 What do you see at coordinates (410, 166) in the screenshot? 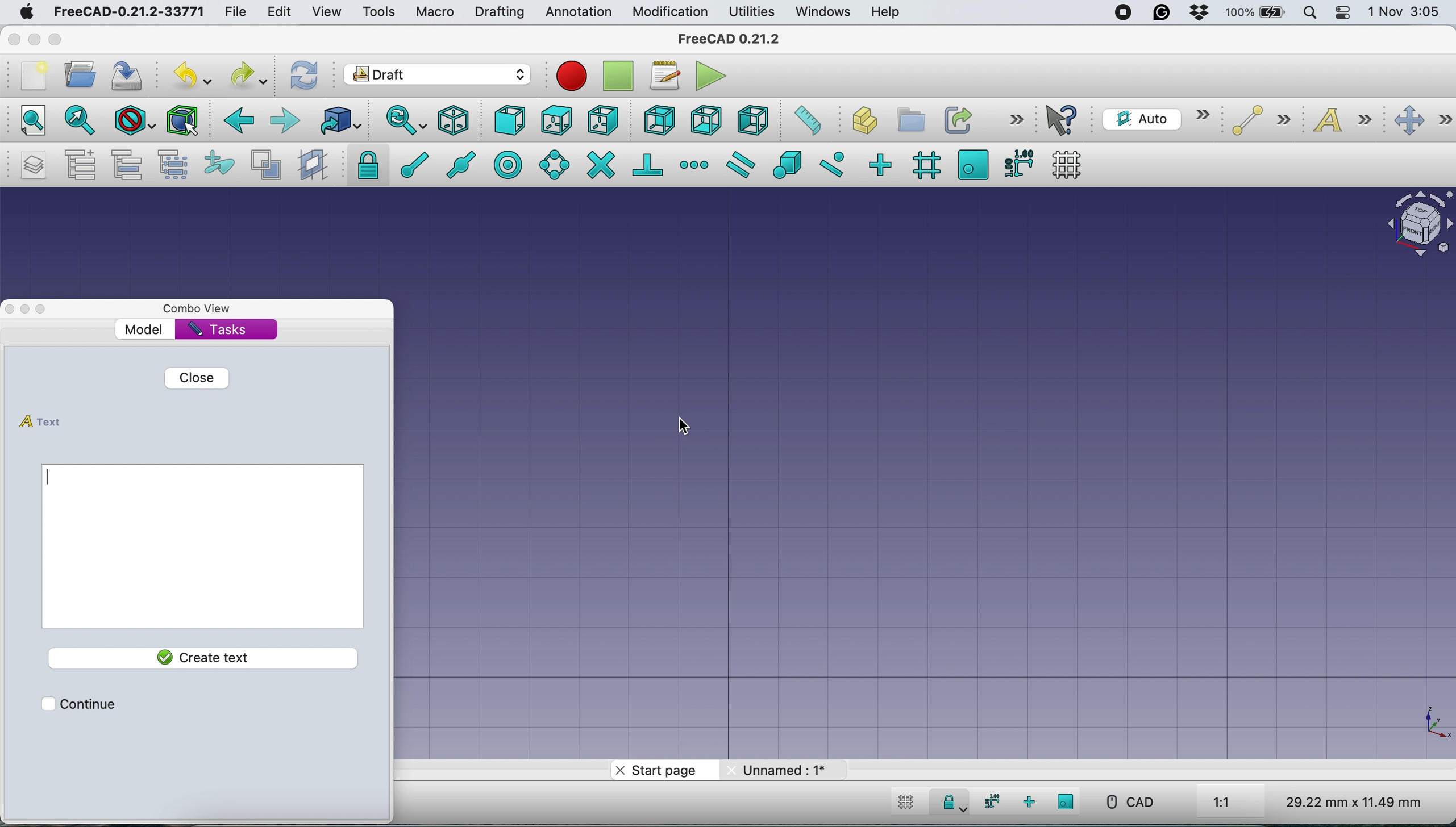
I see `snap at end` at bounding box center [410, 166].